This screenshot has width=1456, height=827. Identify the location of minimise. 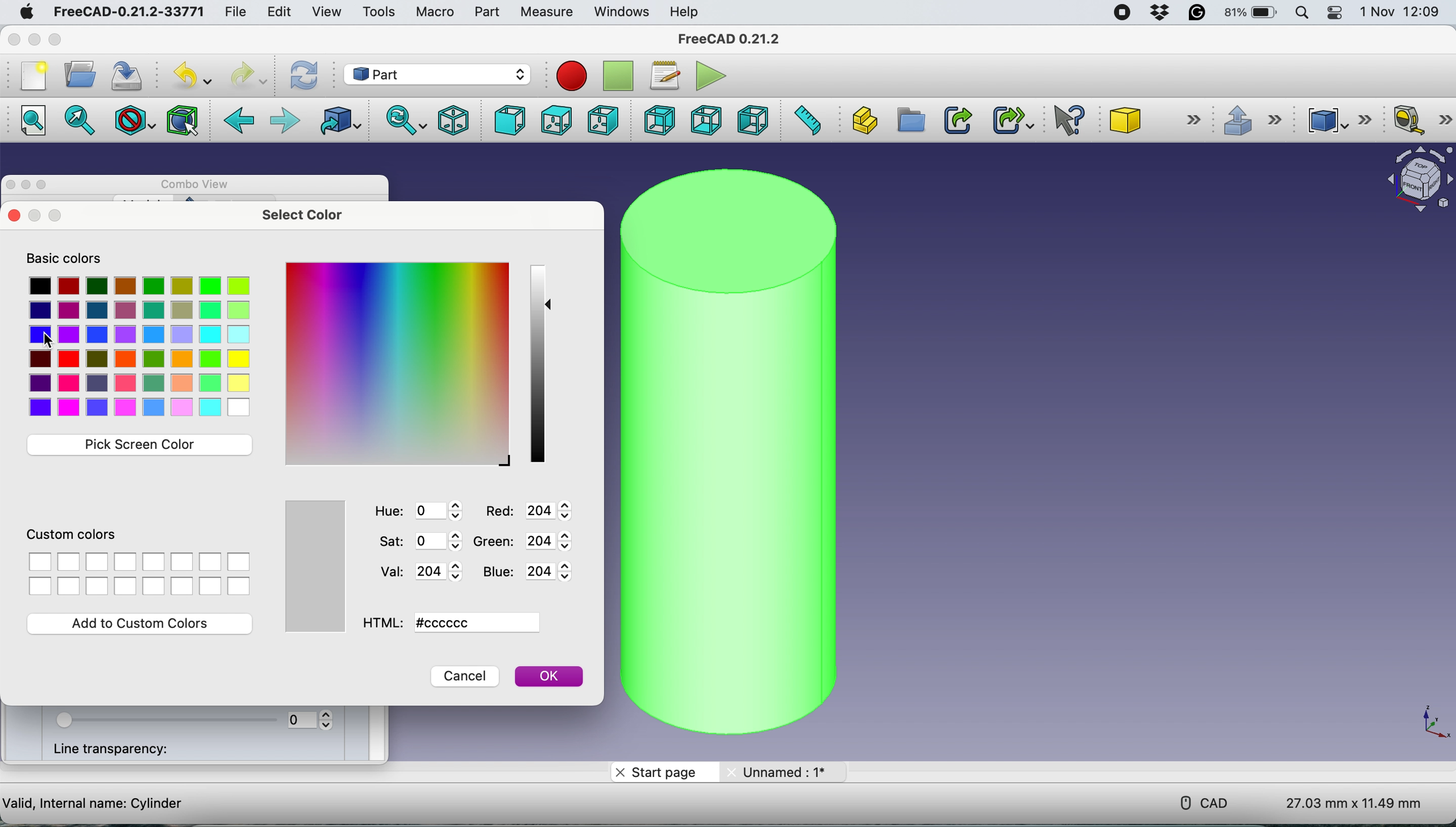
(26, 187).